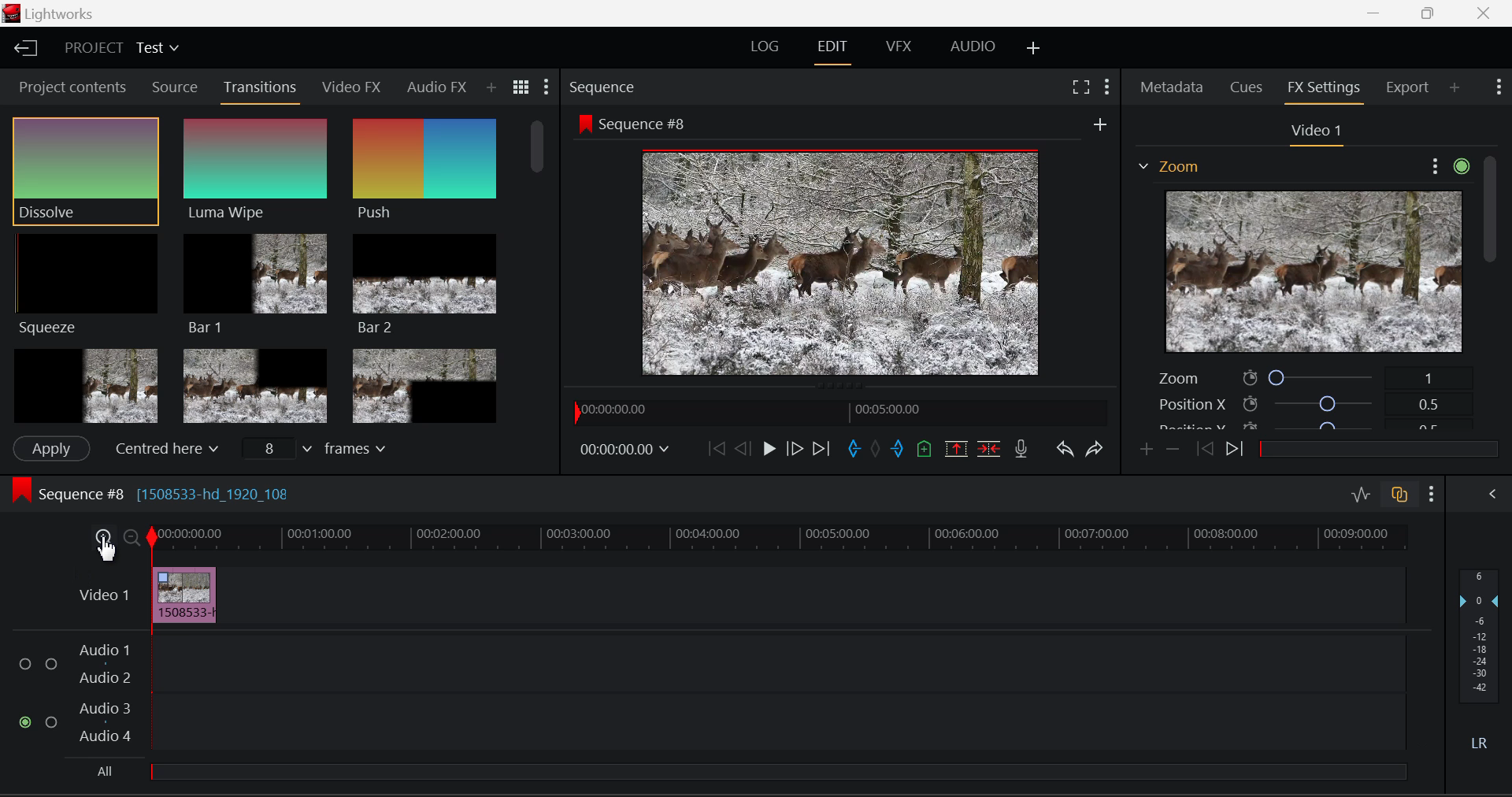  I want to click on To End, so click(821, 450).